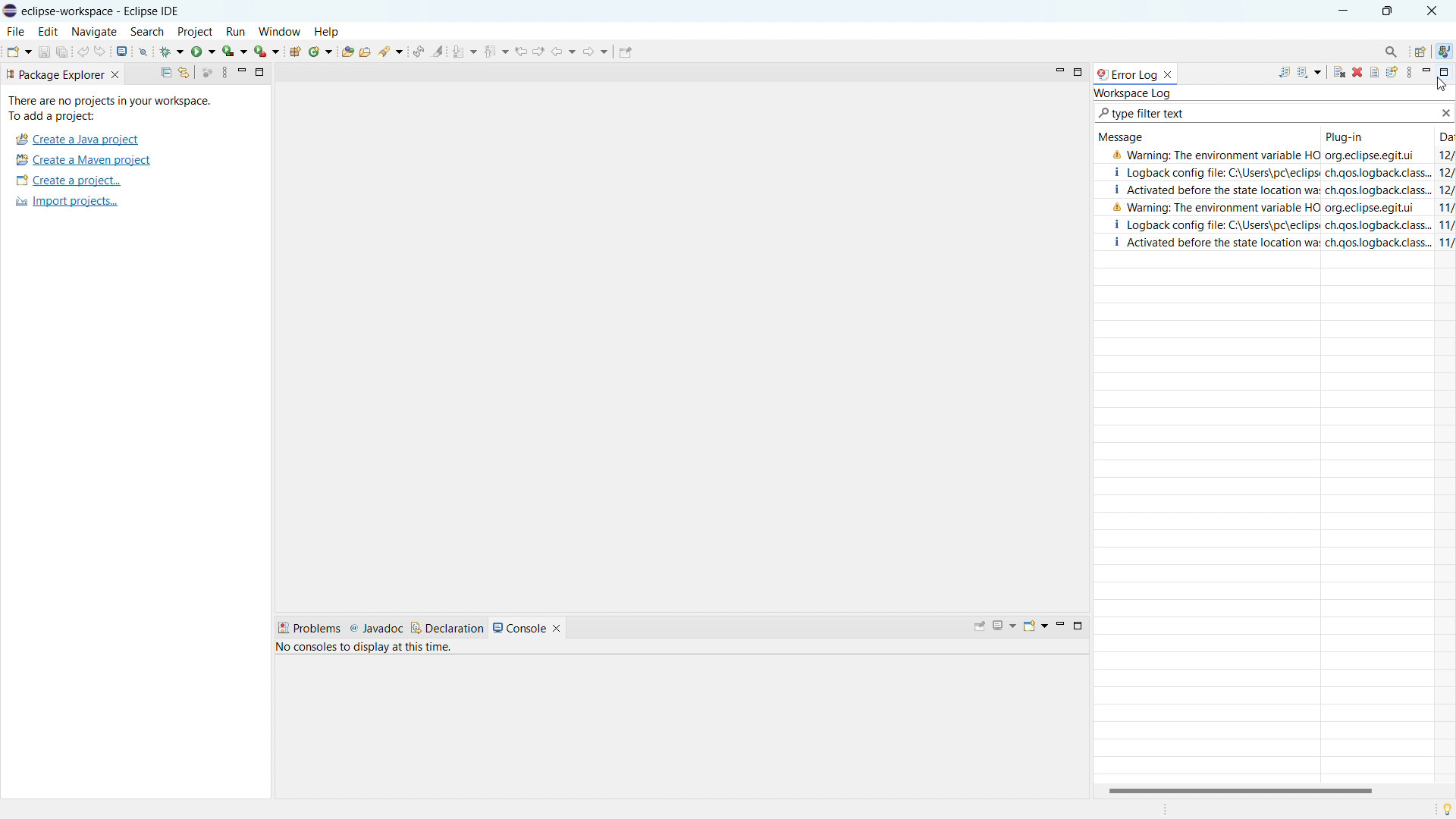  What do you see at coordinates (1310, 71) in the screenshot?
I see `import log` at bounding box center [1310, 71].